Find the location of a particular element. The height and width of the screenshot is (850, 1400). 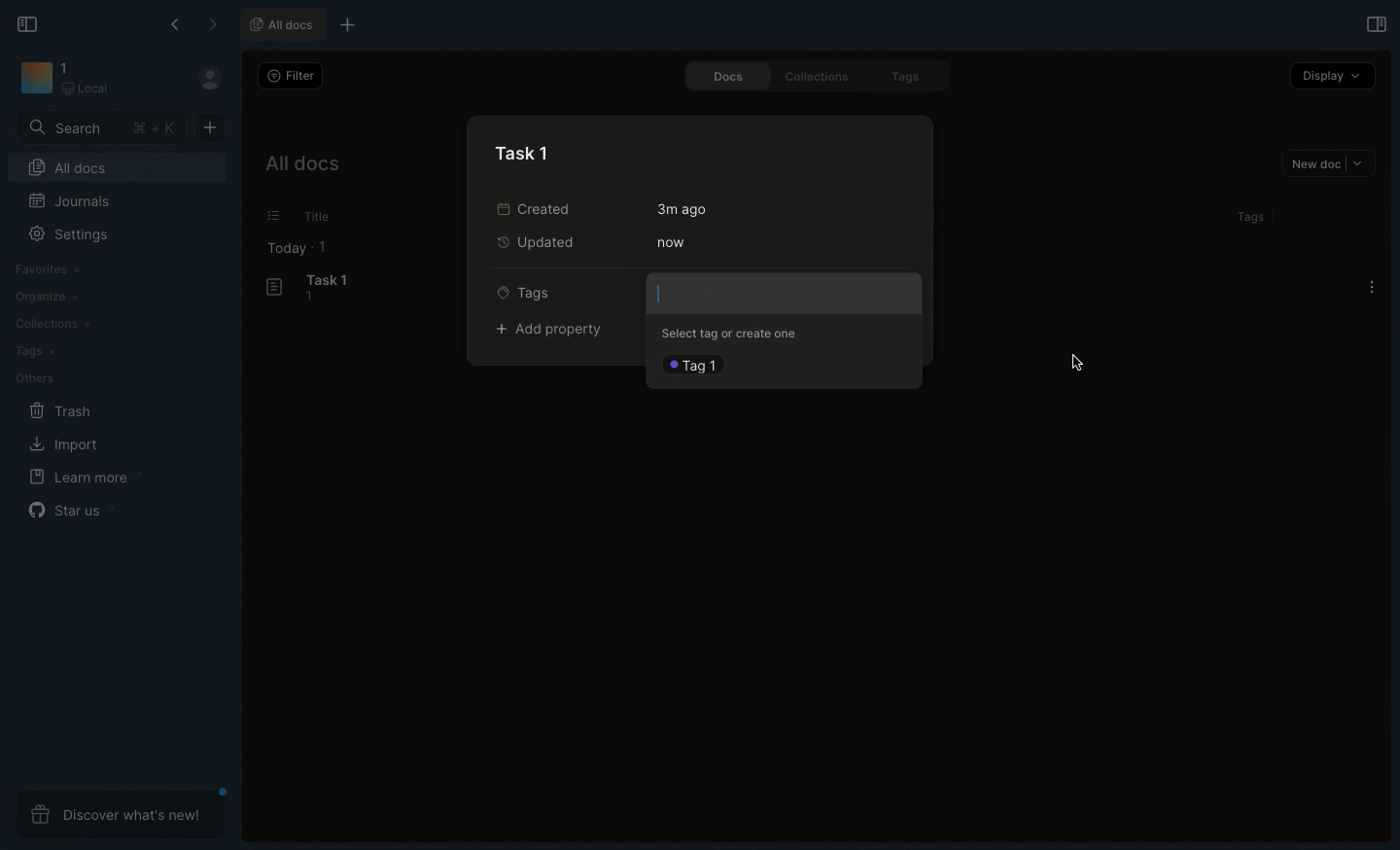

Cursor is located at coordinates (1079, 363).